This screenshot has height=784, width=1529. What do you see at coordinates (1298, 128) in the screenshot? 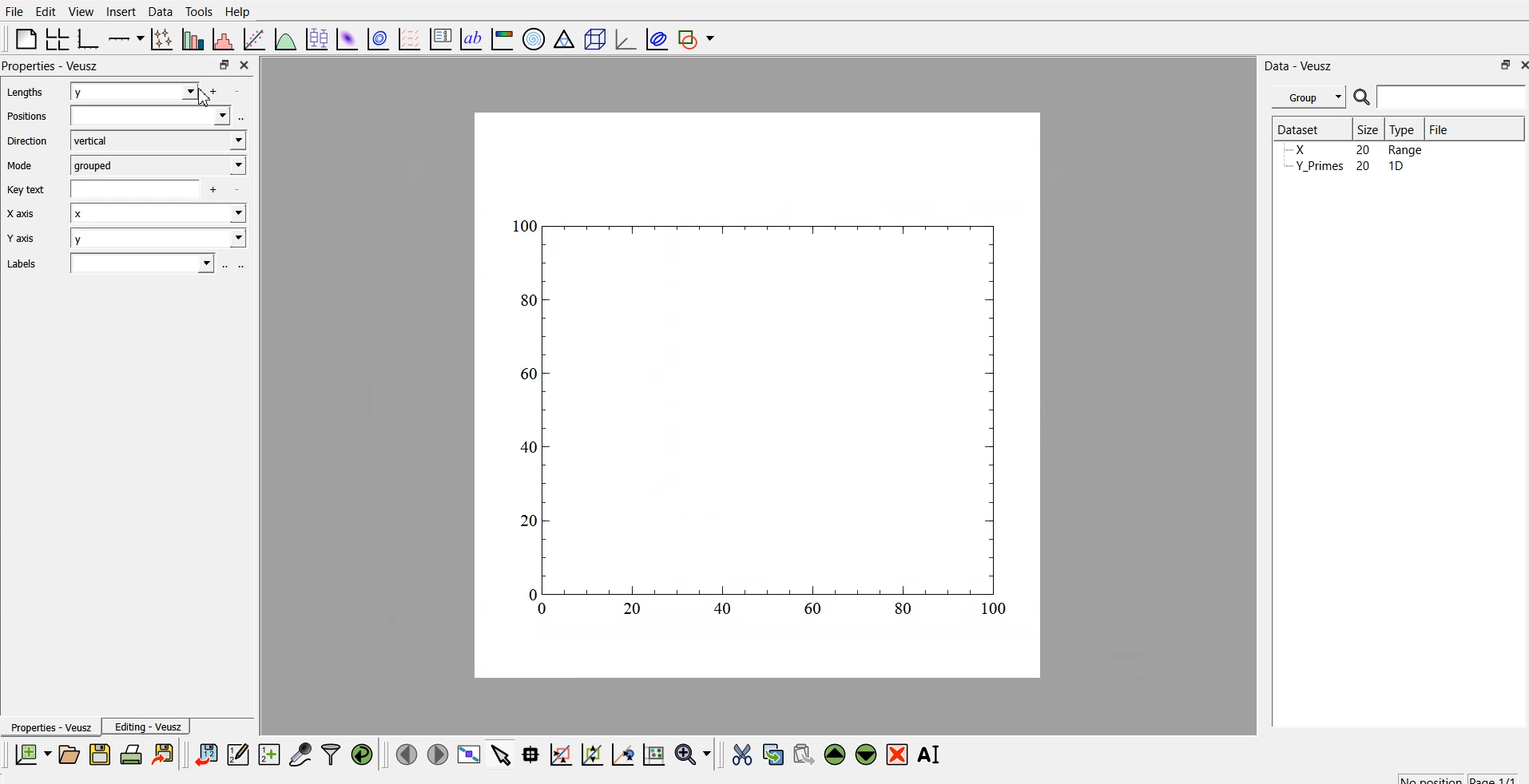
I see `| Dataset` at bounding box center [1298, 128].